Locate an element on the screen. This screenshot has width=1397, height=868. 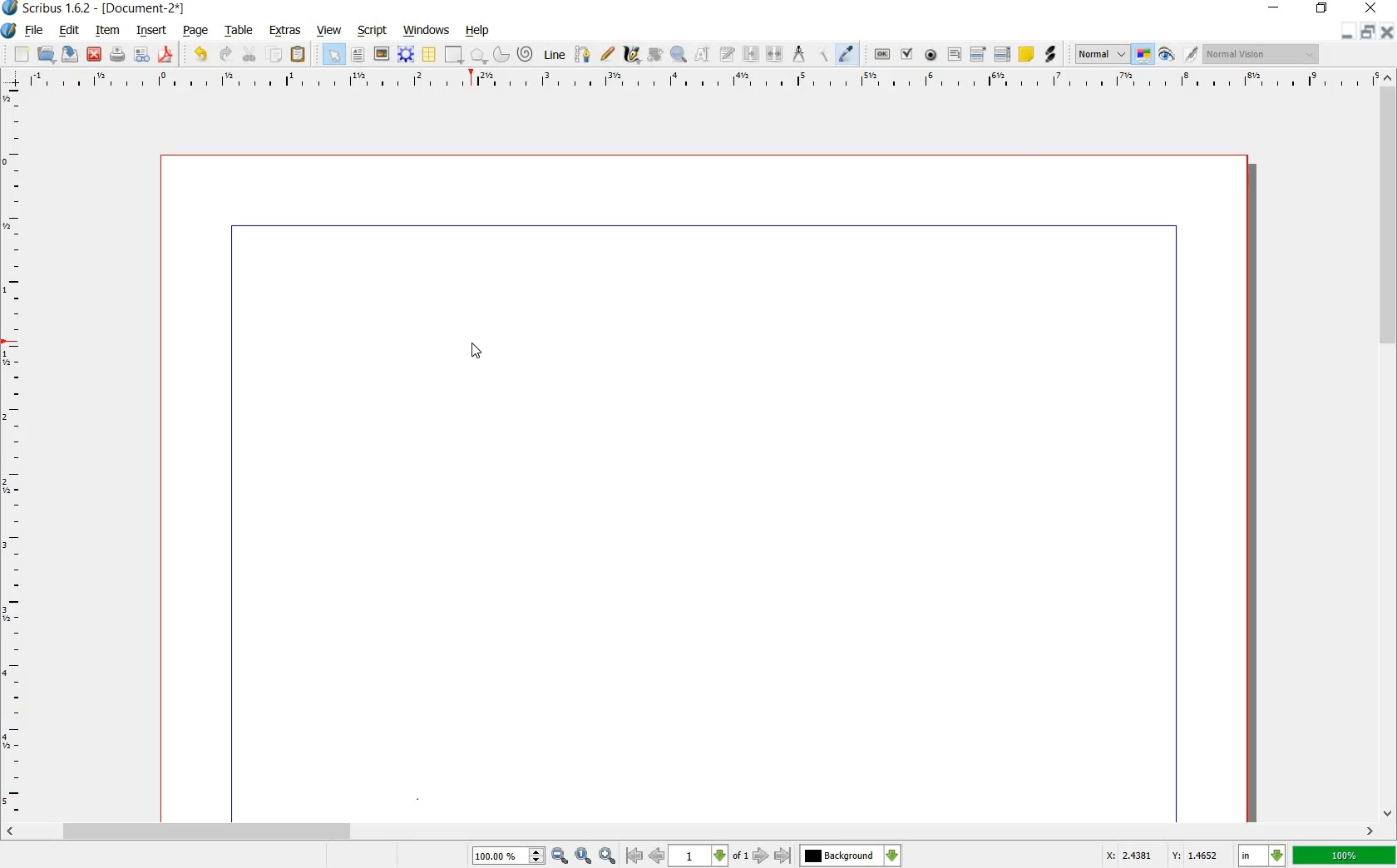
NEW is located at coordinates (21, 55).